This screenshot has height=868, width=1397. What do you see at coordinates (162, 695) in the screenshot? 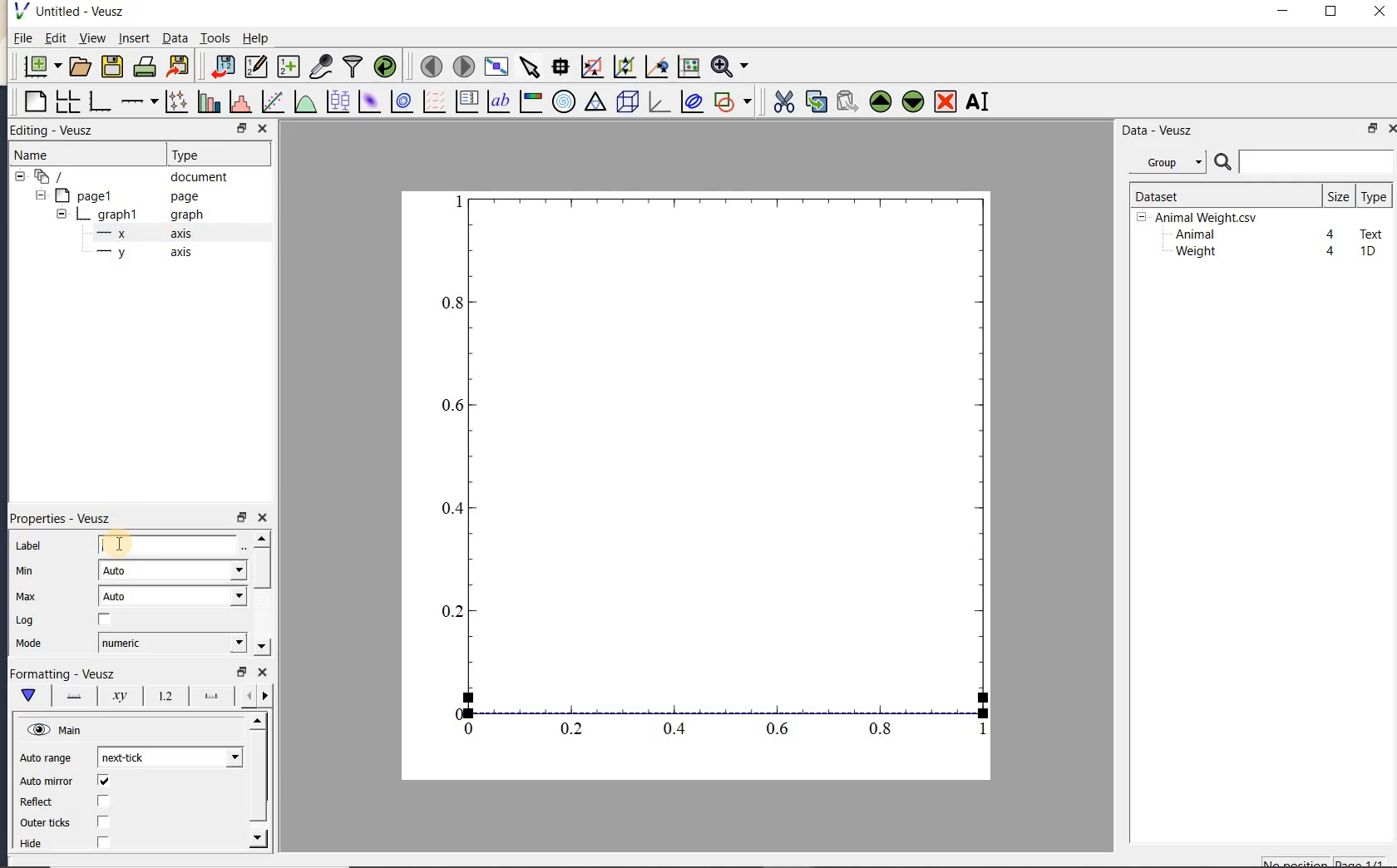
I see `tick labels` at bounding box center [162, 695].